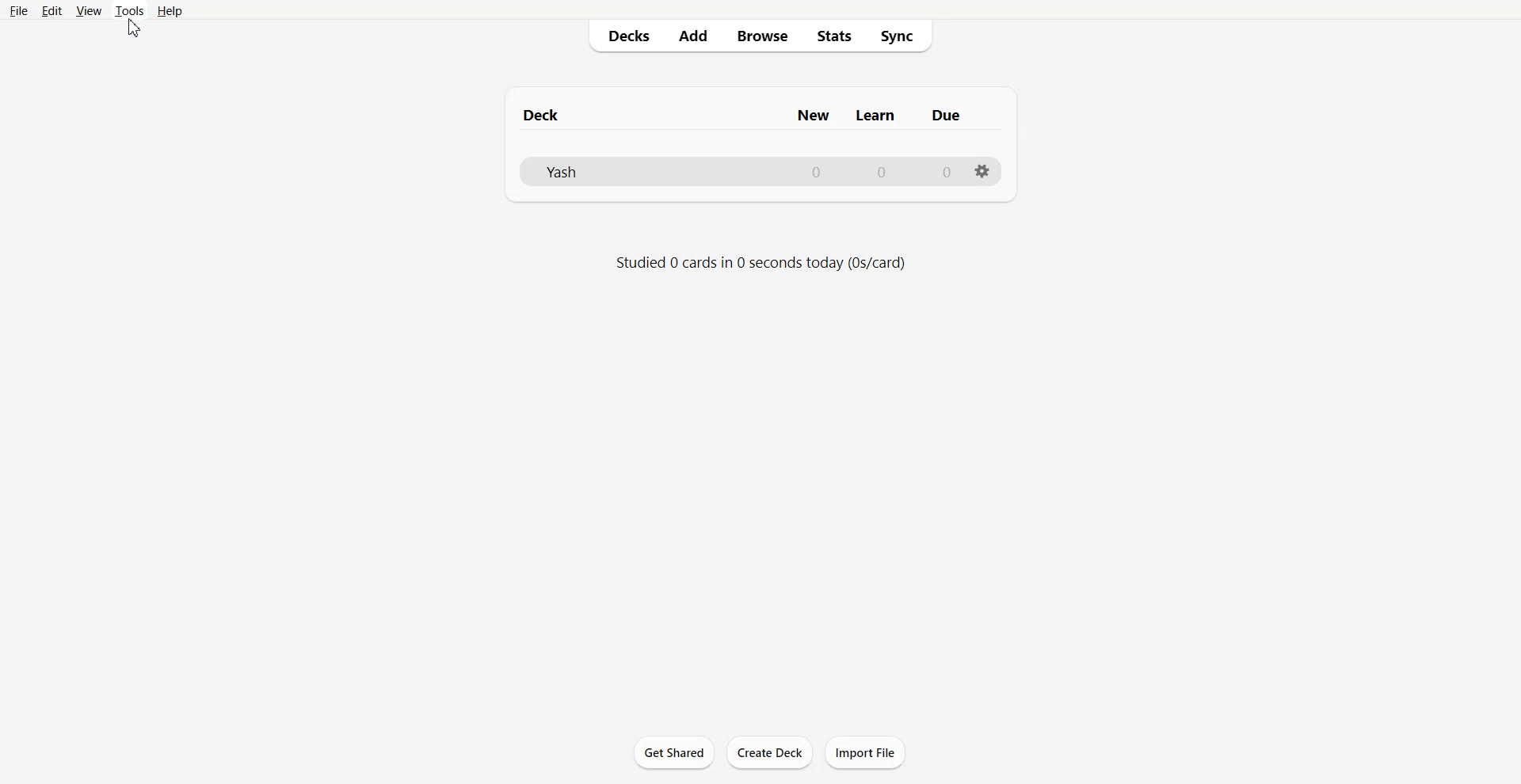 This screenshot has width=1521, height=784. Describe the element at coordinates (129, 10) in the screenshot. I see `Tools` at that location.